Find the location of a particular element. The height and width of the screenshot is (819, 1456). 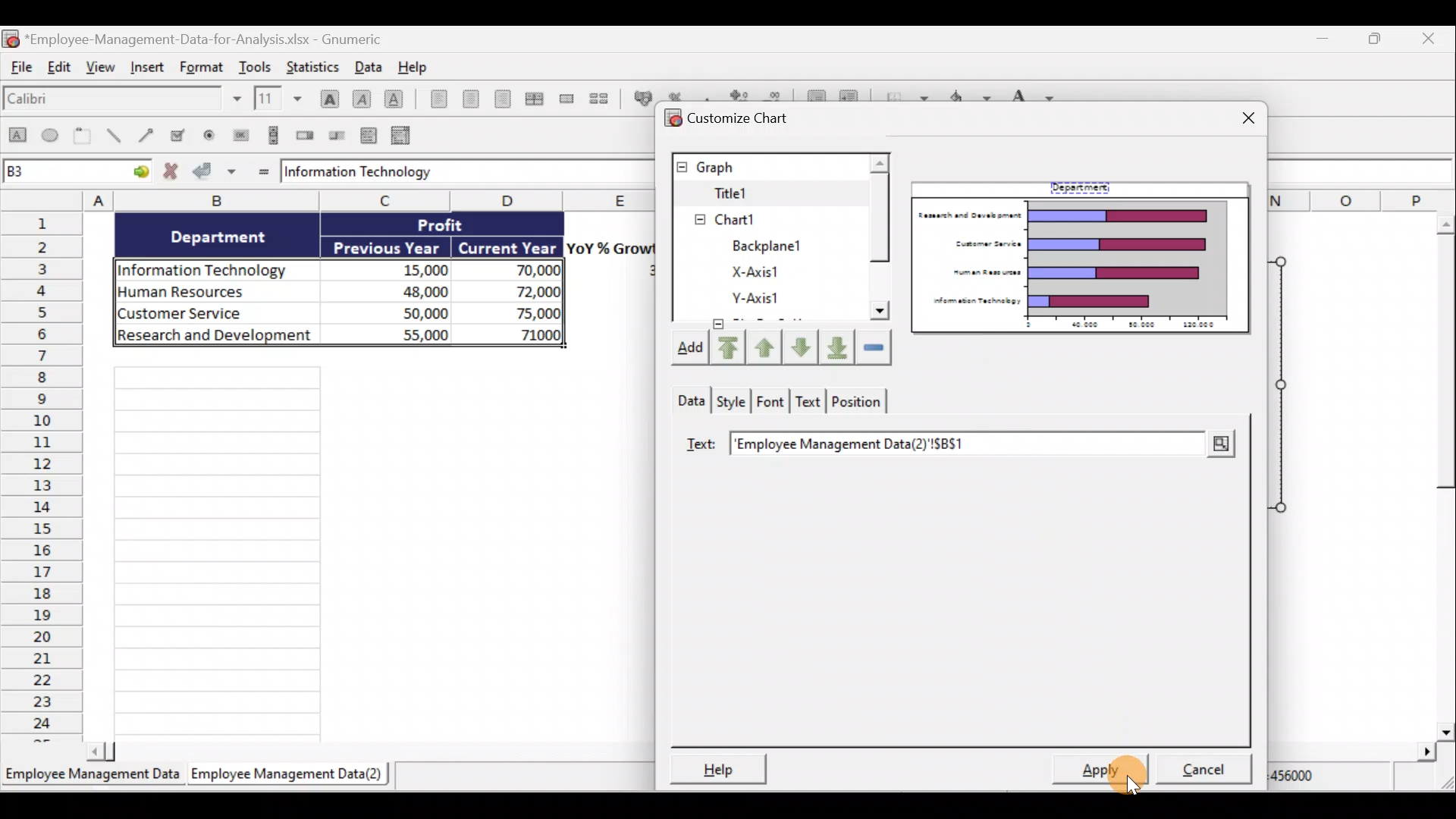

Create a list is located at coordinates (367, 137).